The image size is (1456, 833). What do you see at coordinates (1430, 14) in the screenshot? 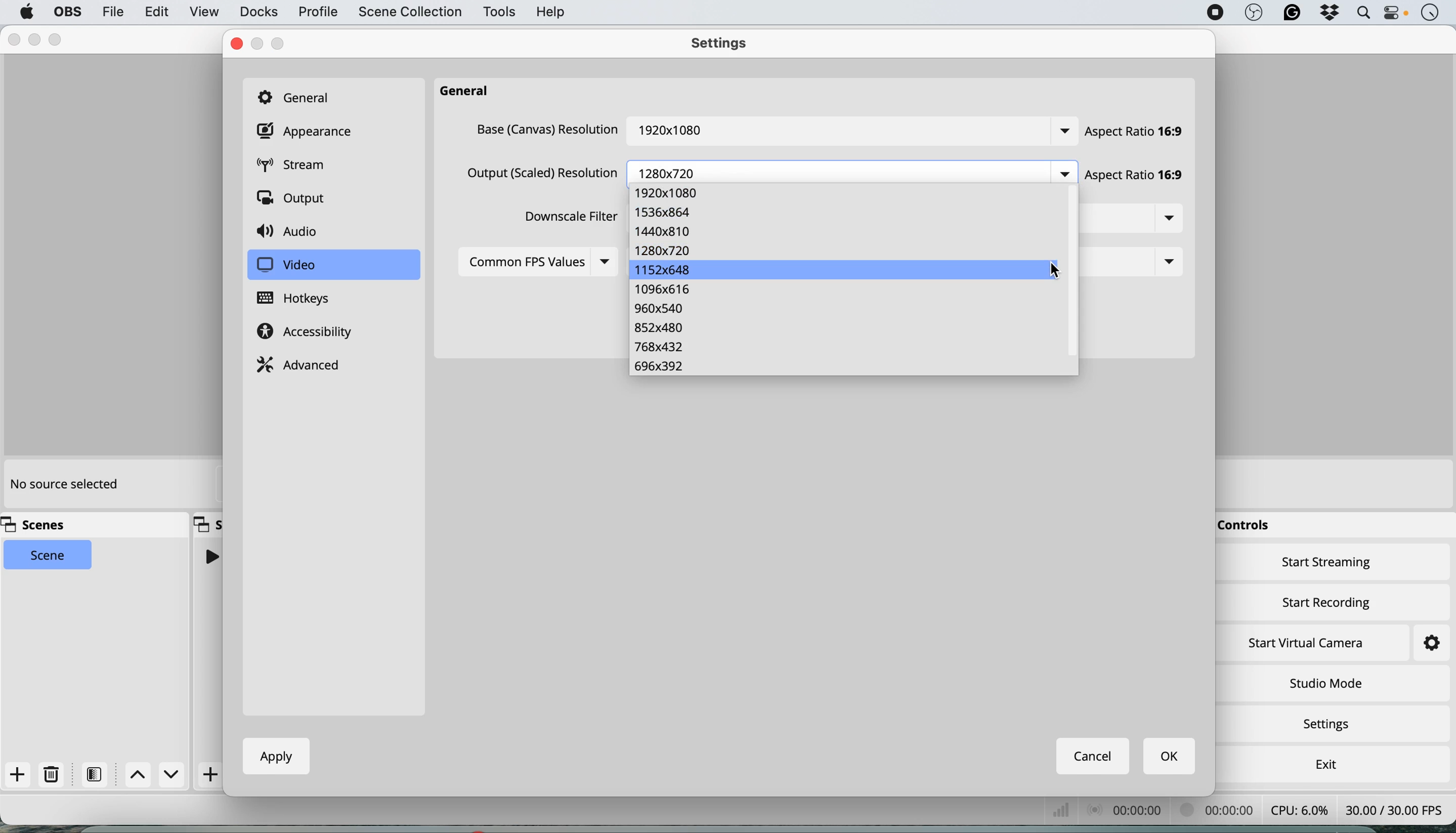
I see `time` at bounding box center [1430, 14].